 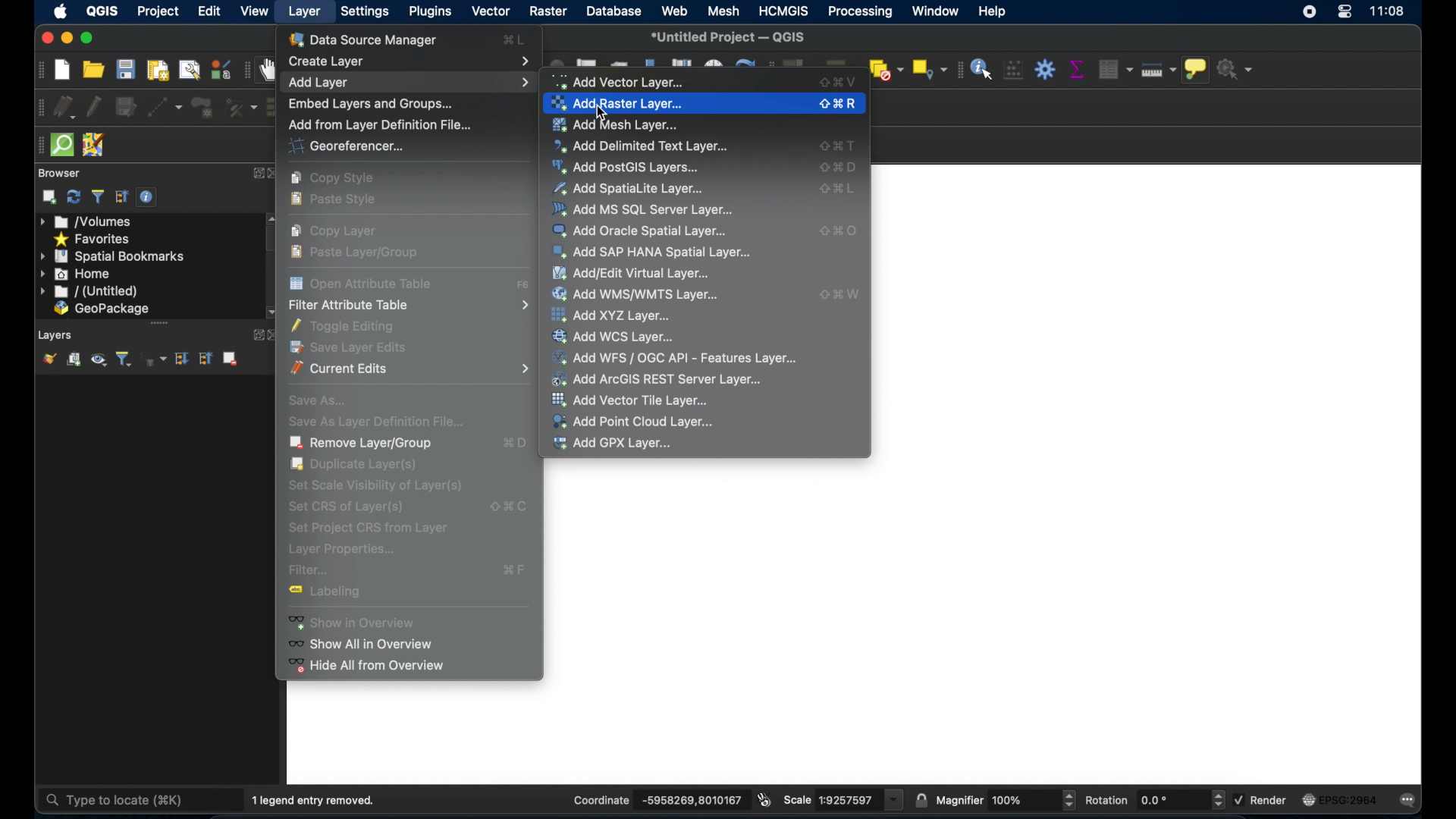 What do you see at coordinates (1112, 67) in the screenshot?
I see `open attribute table` at bounding box center [1112, 67].